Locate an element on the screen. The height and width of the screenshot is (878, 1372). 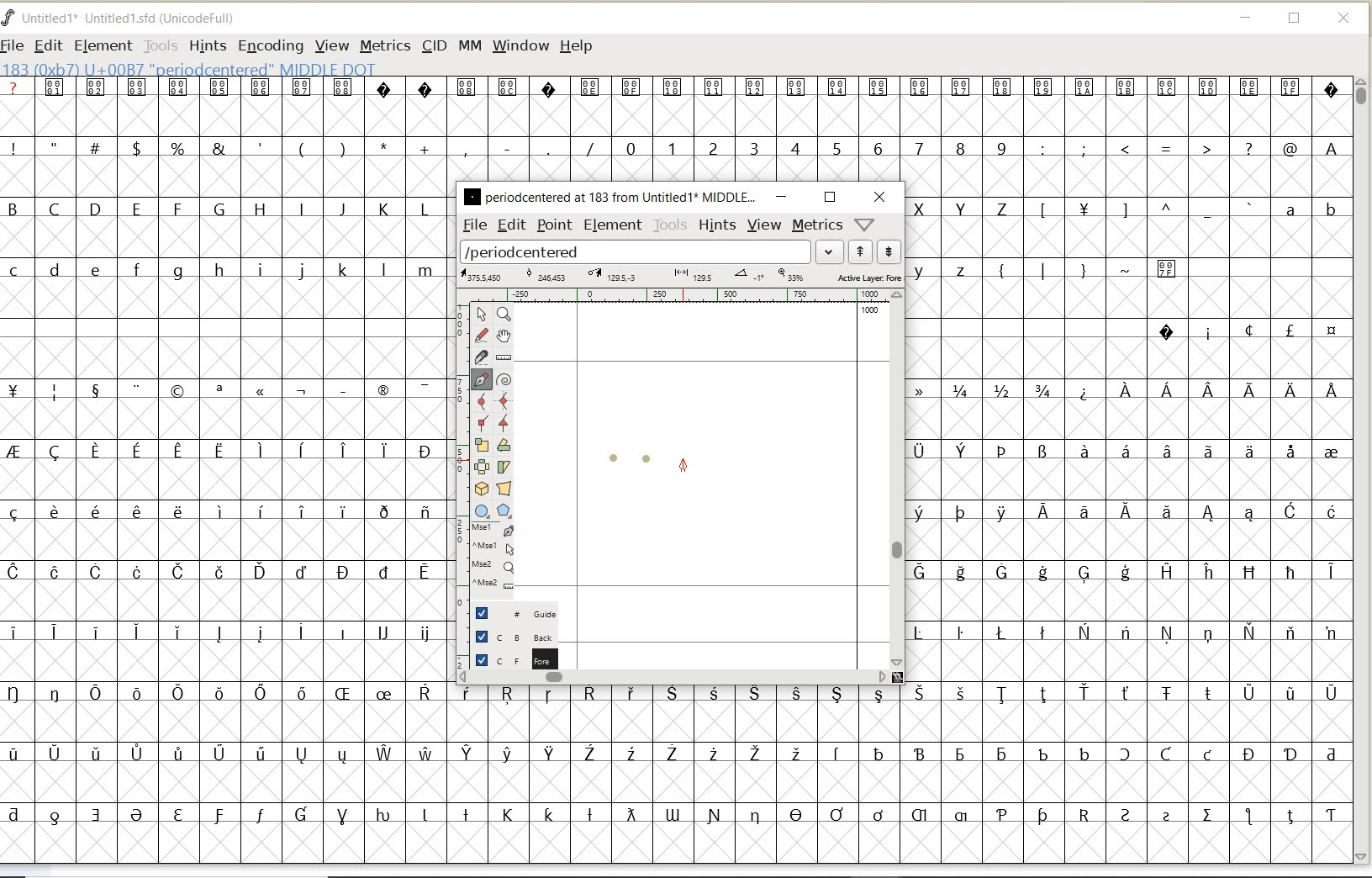
WINDOW is located at coordinates (520, 45).